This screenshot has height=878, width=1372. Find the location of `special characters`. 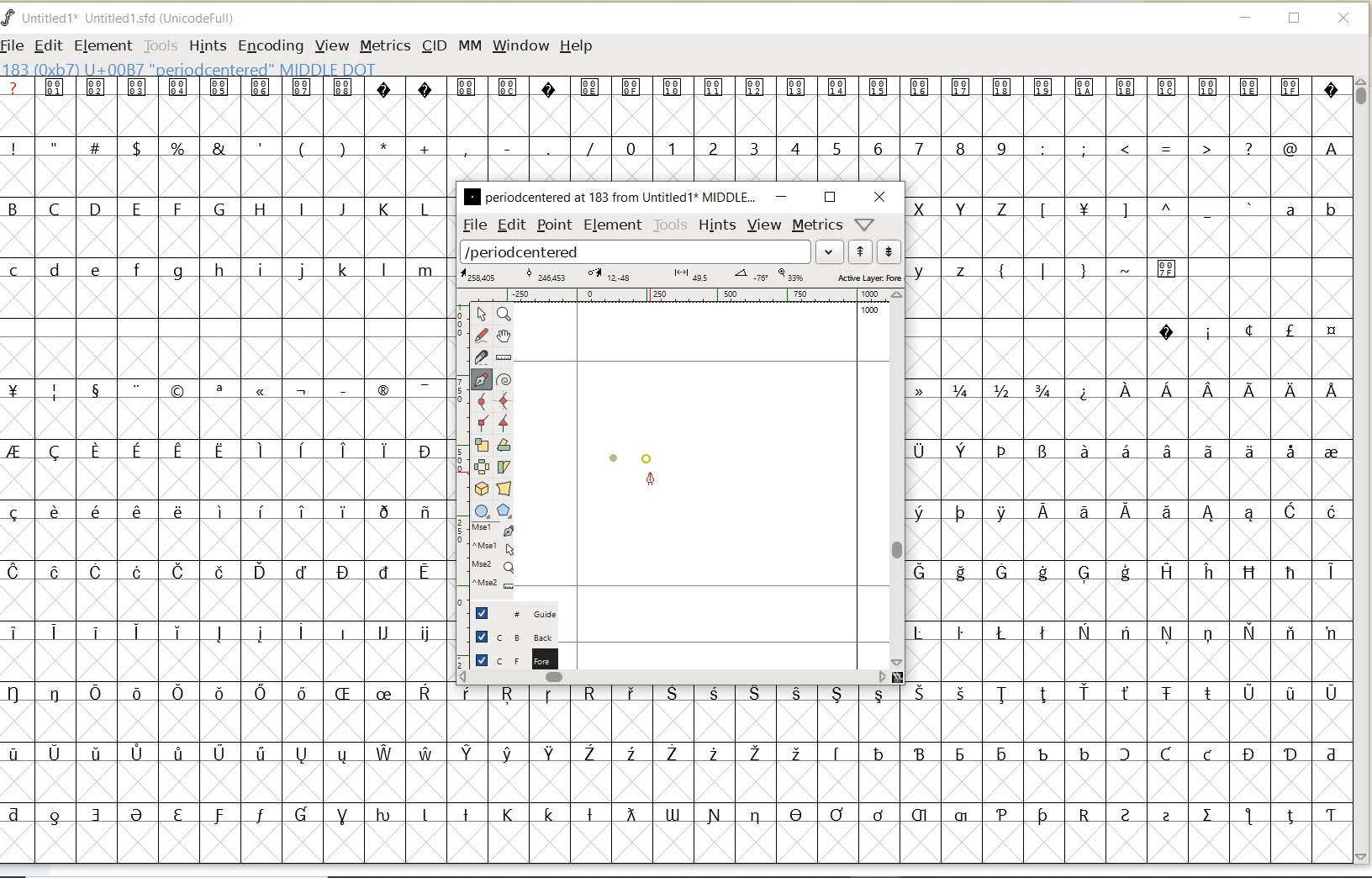

special characters is located at coordinates (1247, 331).